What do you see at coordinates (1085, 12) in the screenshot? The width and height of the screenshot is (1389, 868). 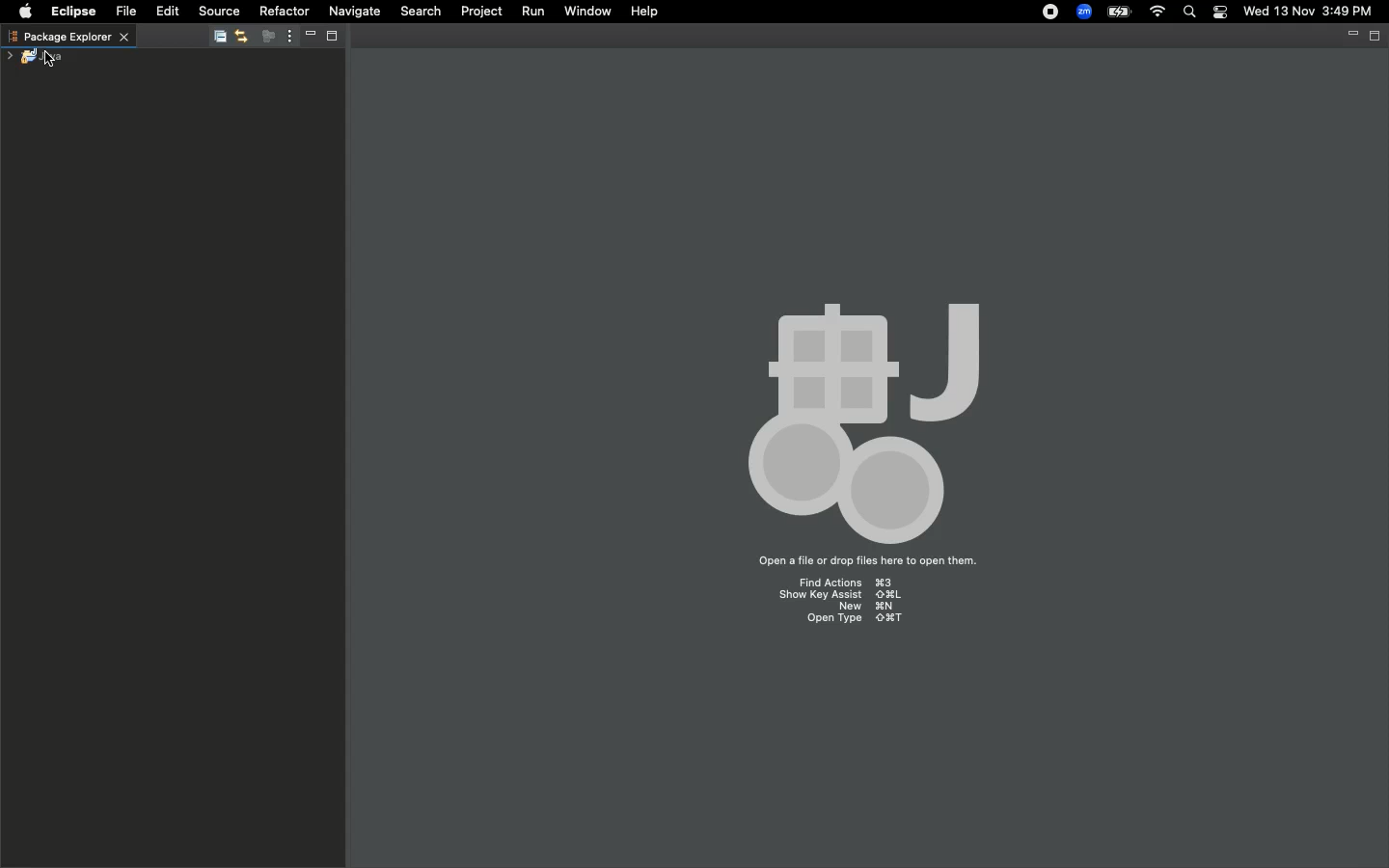 I see `Zoom` at bounding box center [1085, 12].